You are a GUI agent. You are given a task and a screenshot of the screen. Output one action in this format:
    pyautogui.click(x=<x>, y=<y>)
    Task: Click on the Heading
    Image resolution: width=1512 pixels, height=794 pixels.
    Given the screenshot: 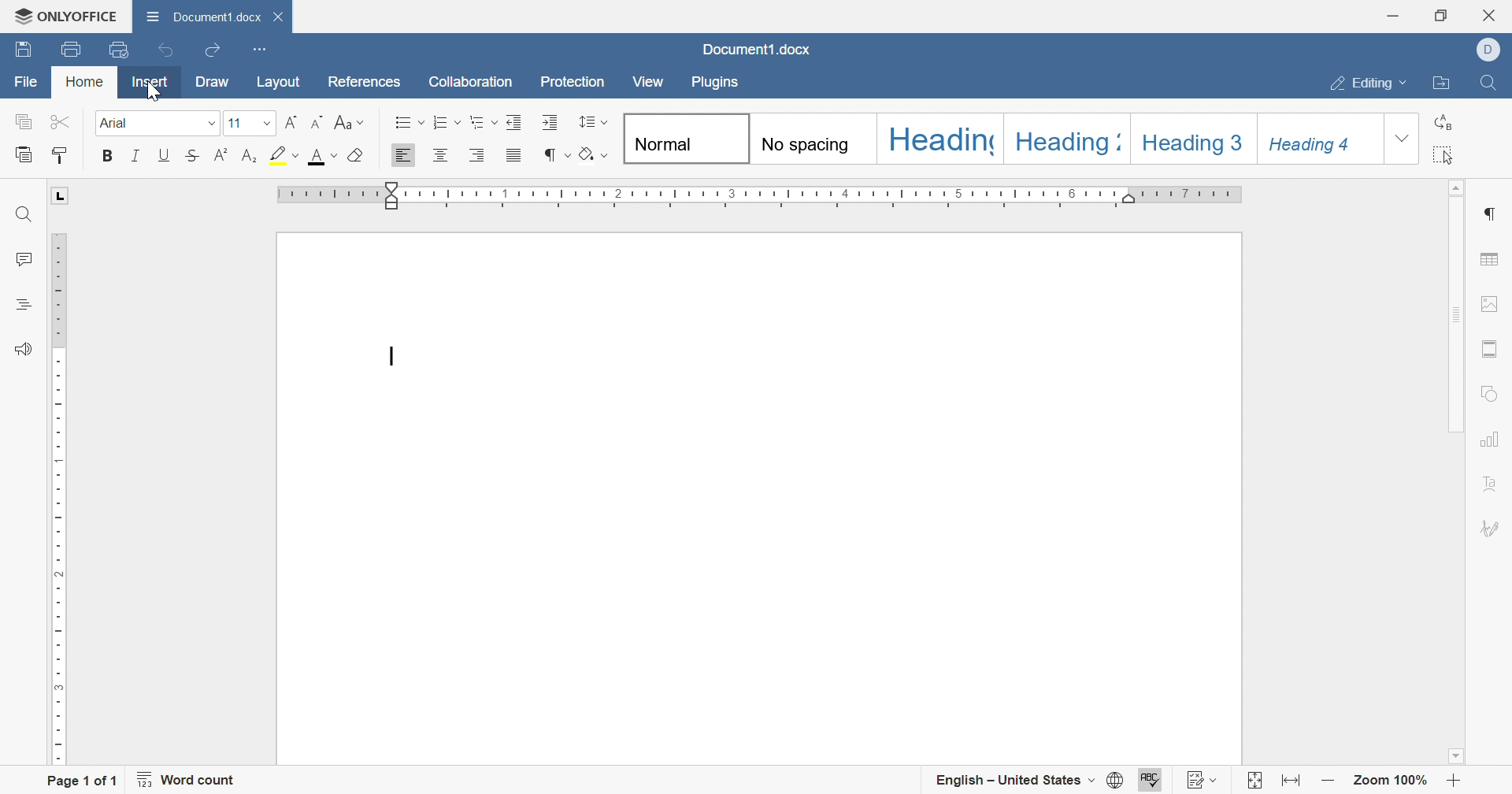 What is the action you would take?
    pyautogui.click(x=21, y=302)
    